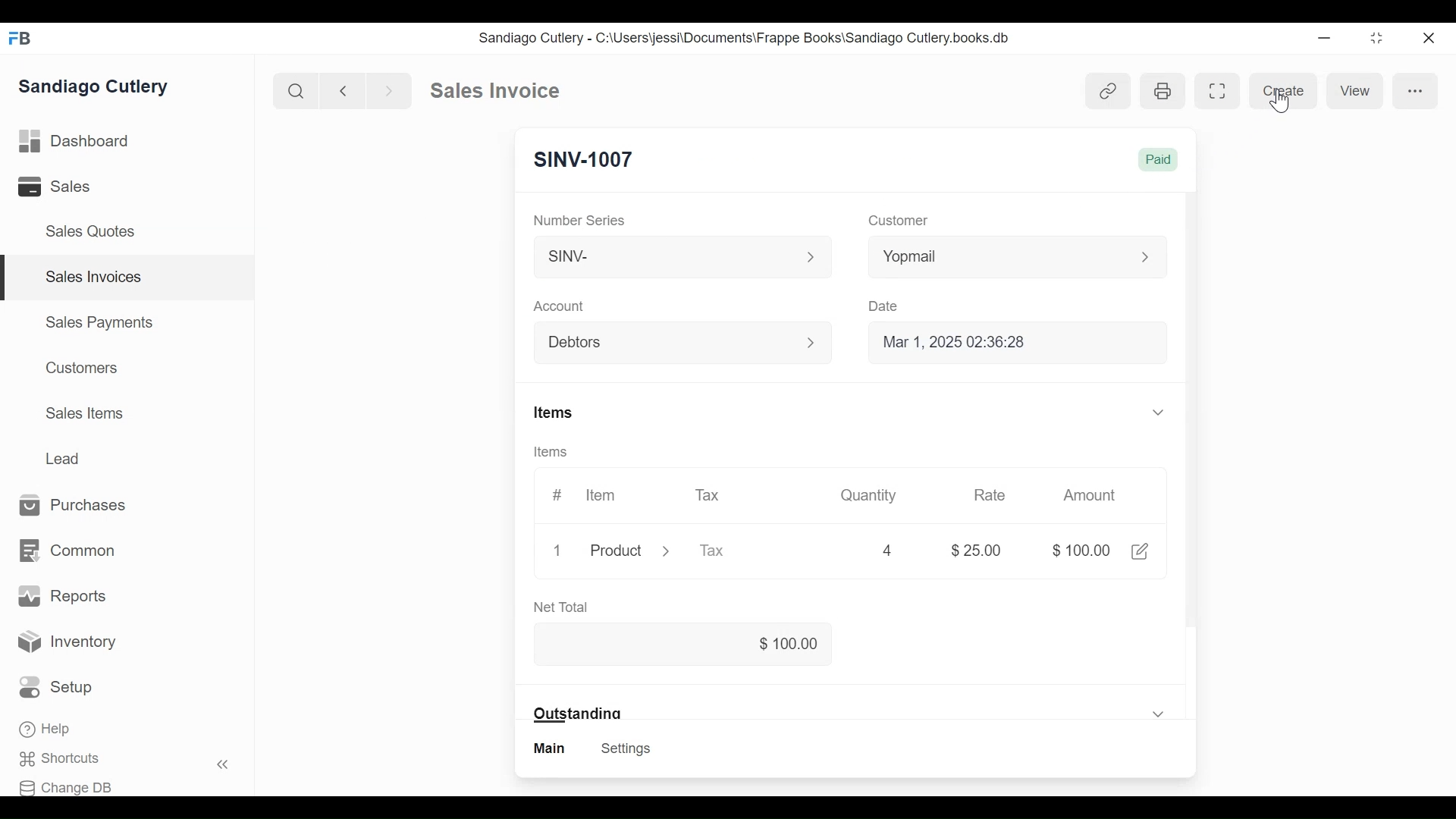 This screenshot has height=819, width=1456. What do you see at coordinates (673, 341) in the screenshot?
I see `Debtors` at bounding box center [673, 341].